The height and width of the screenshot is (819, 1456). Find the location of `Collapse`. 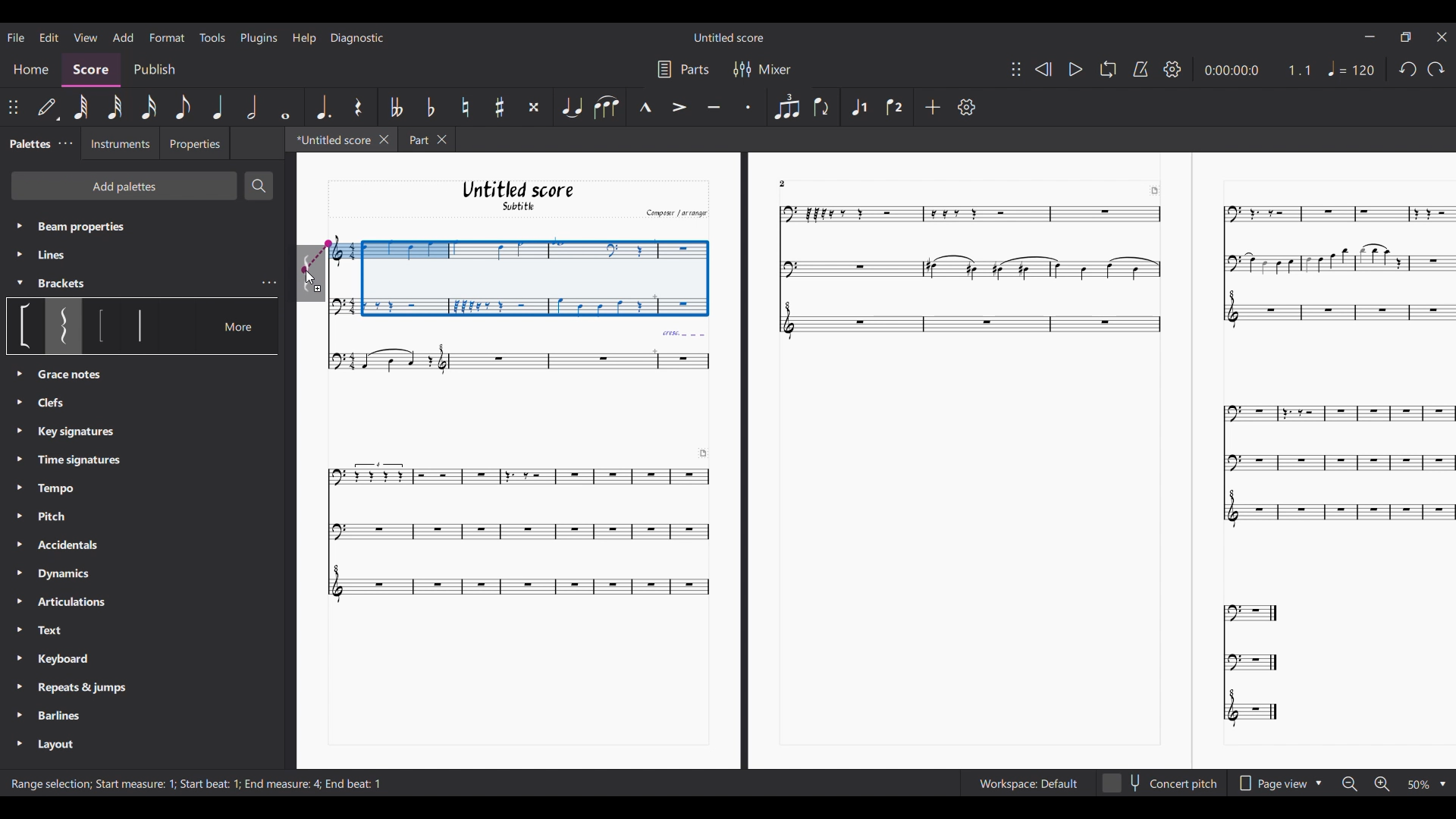

Collapse is located at coordinates (20, 283).